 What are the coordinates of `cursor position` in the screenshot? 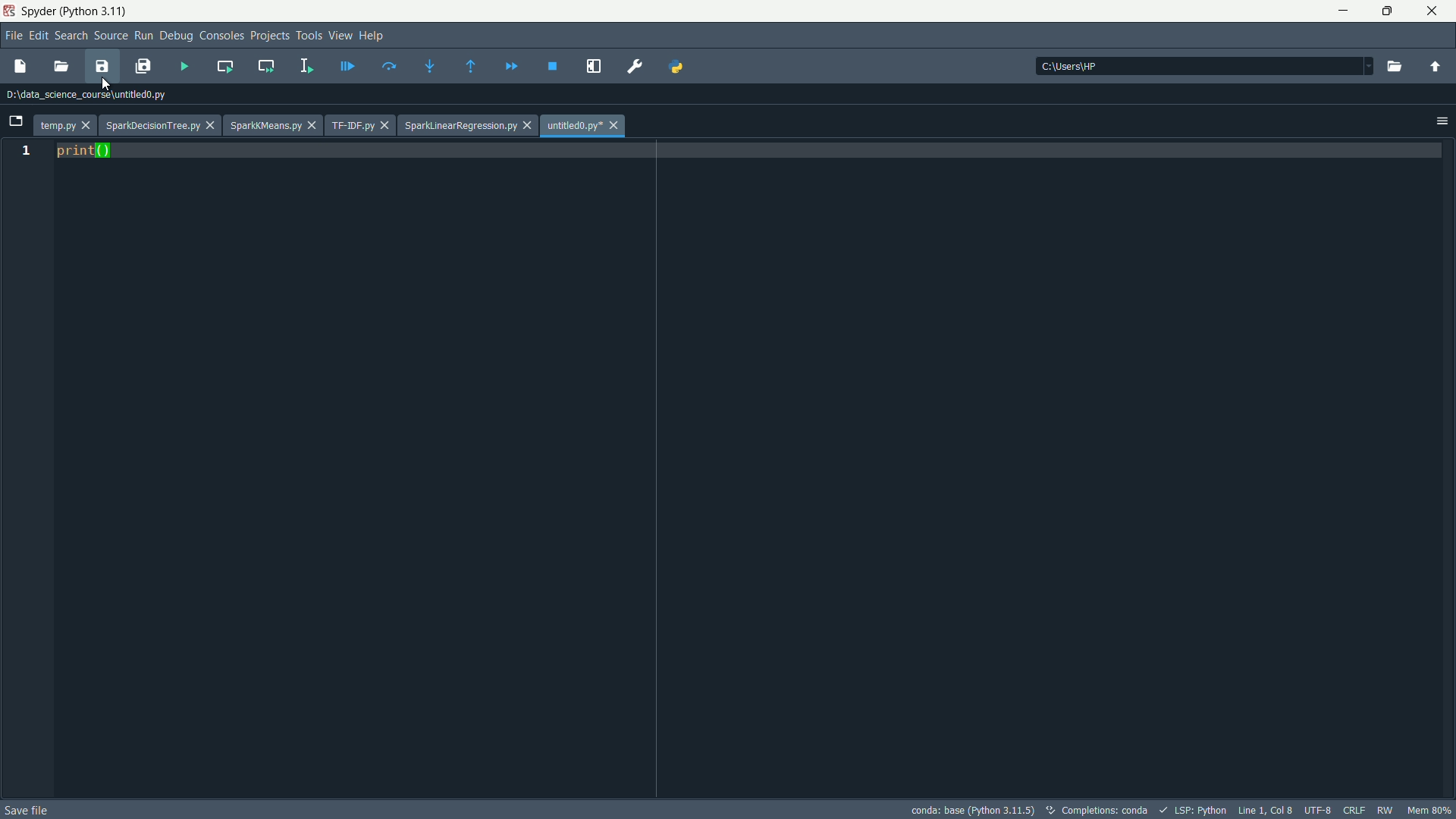 It's located at (1267, 810).